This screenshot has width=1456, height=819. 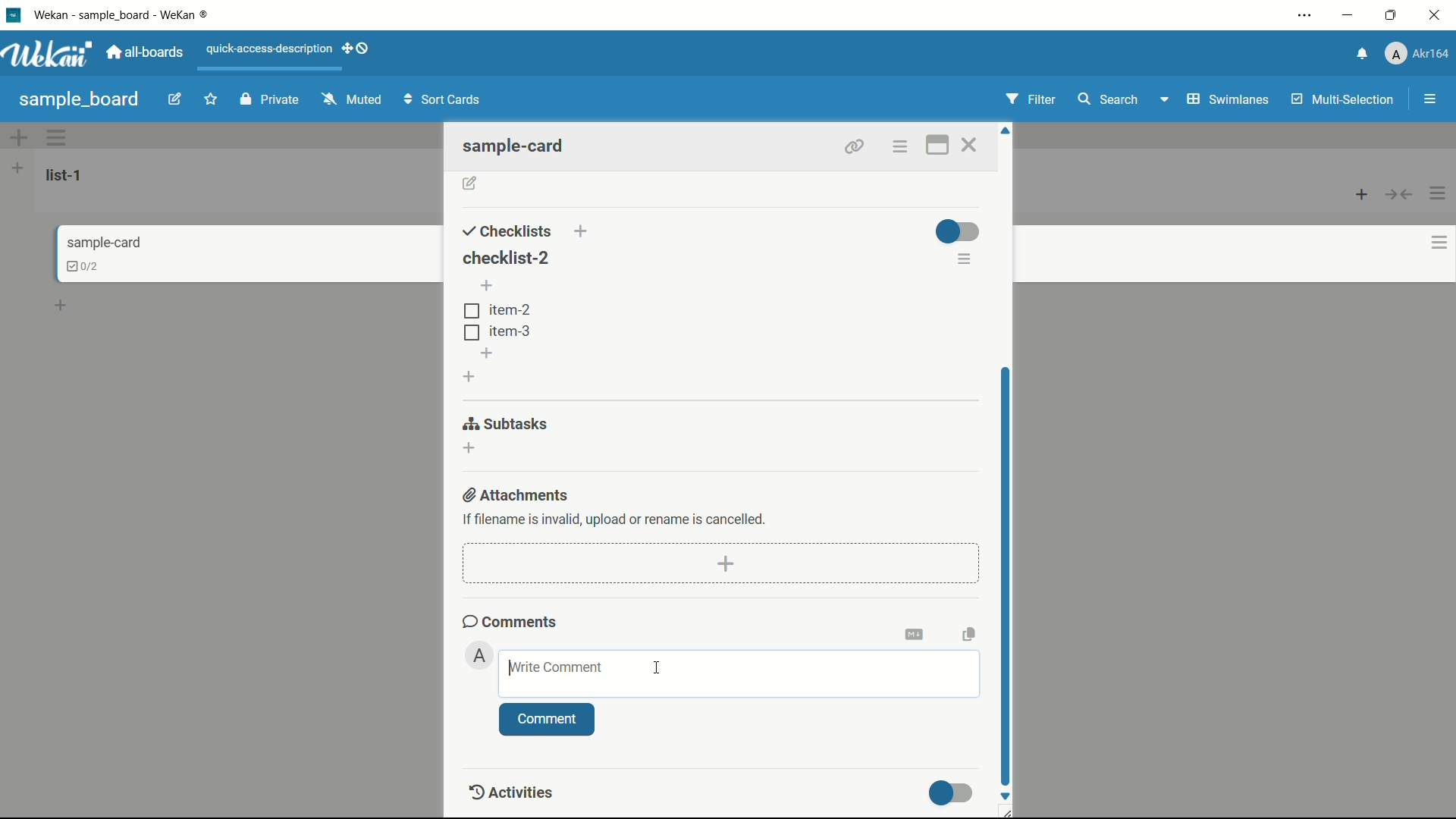 What do you see at coordinates (1439, 193) in the screenshot?
I see `list actions` at bounding box center [1439, 193].